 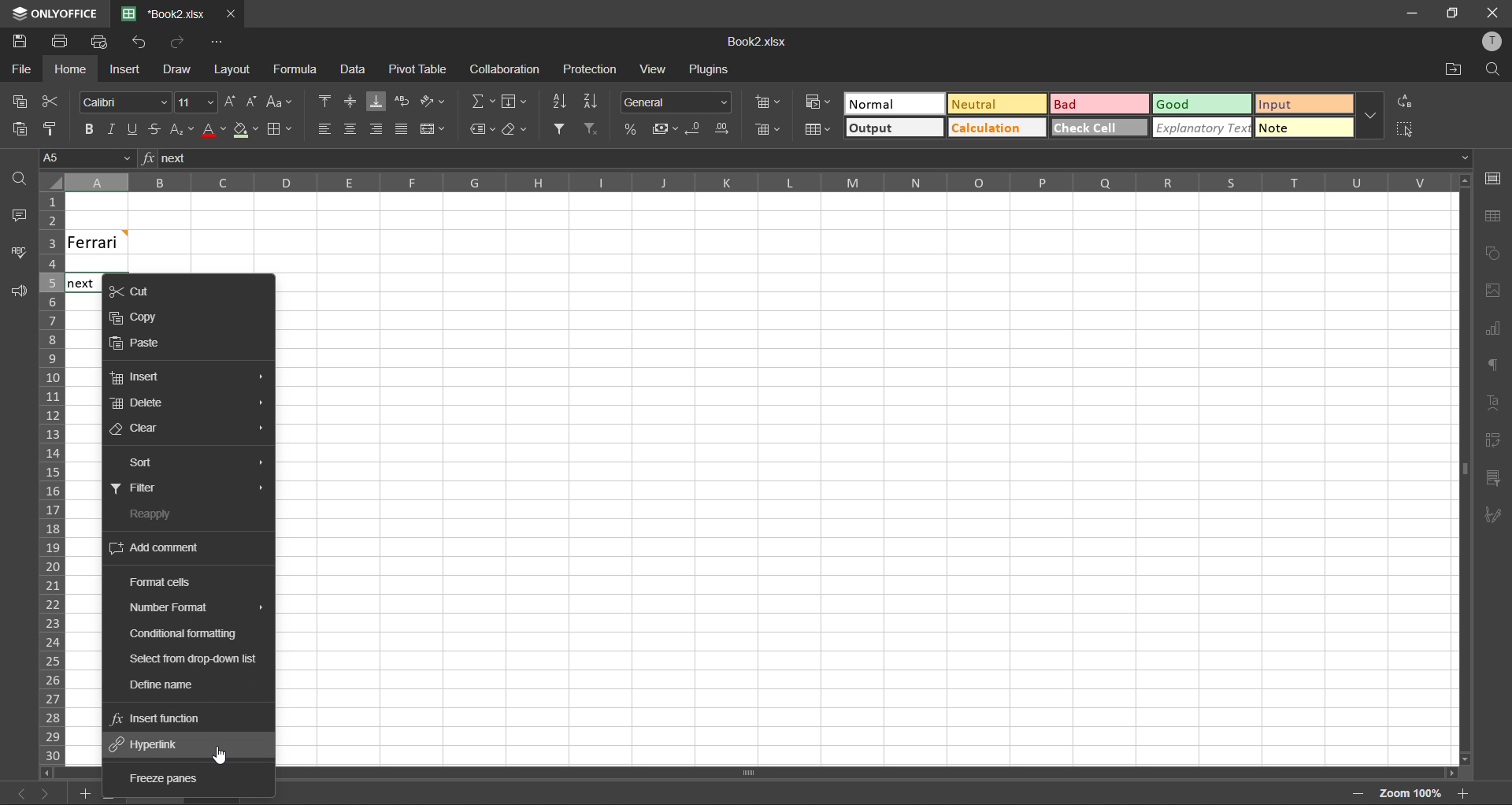 What do you see at coordinates (20, 216) in the screenshot?
I see `comments` at bounding box center [20, 216].